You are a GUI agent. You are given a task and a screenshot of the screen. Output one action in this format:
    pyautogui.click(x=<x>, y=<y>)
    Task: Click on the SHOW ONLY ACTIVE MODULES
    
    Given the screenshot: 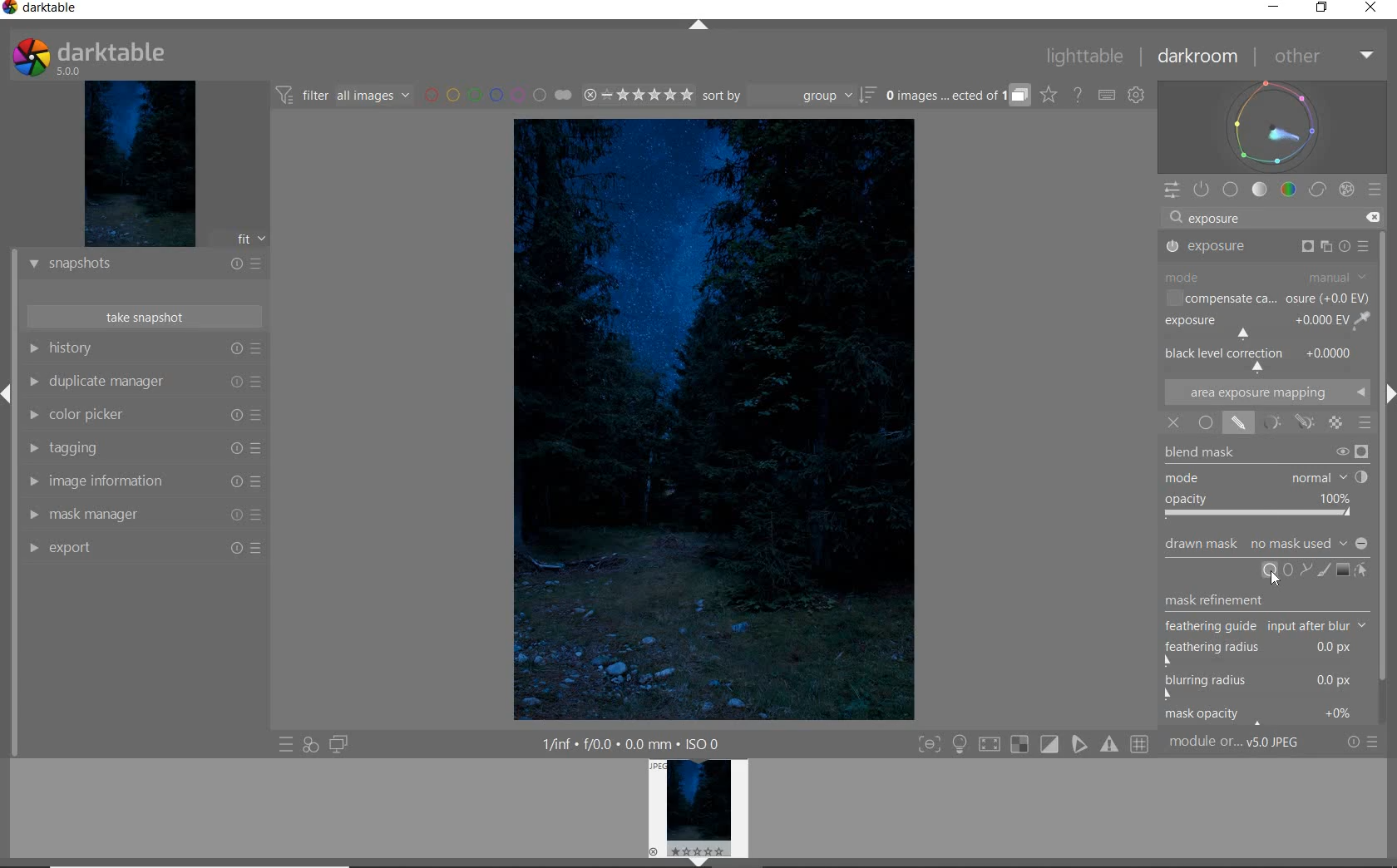 What is the action you would take?
    pyautogui.click(x=1202, y=190)
    